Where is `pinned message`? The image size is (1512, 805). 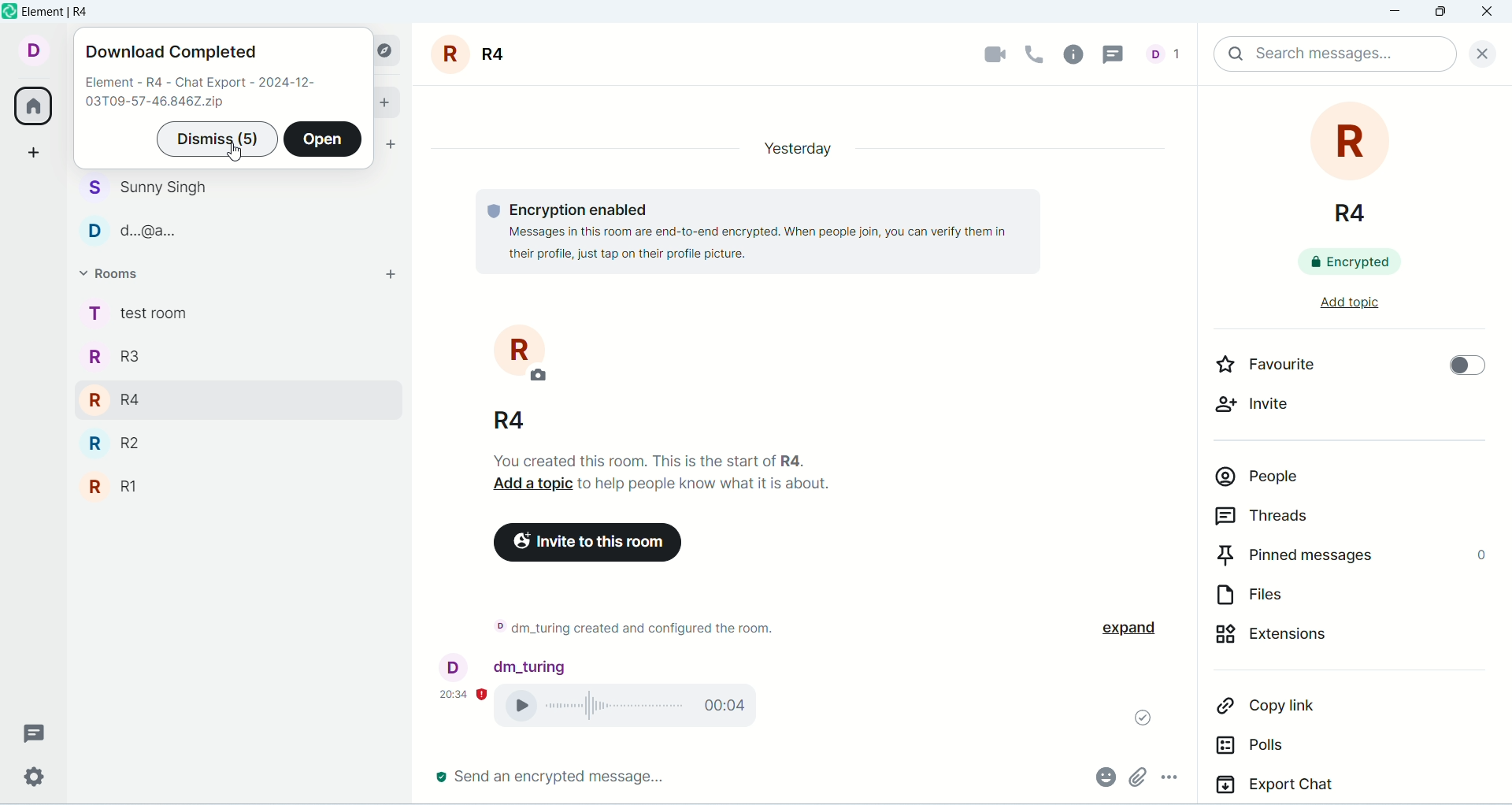
pinned message is located at coordinates (1349, 558).